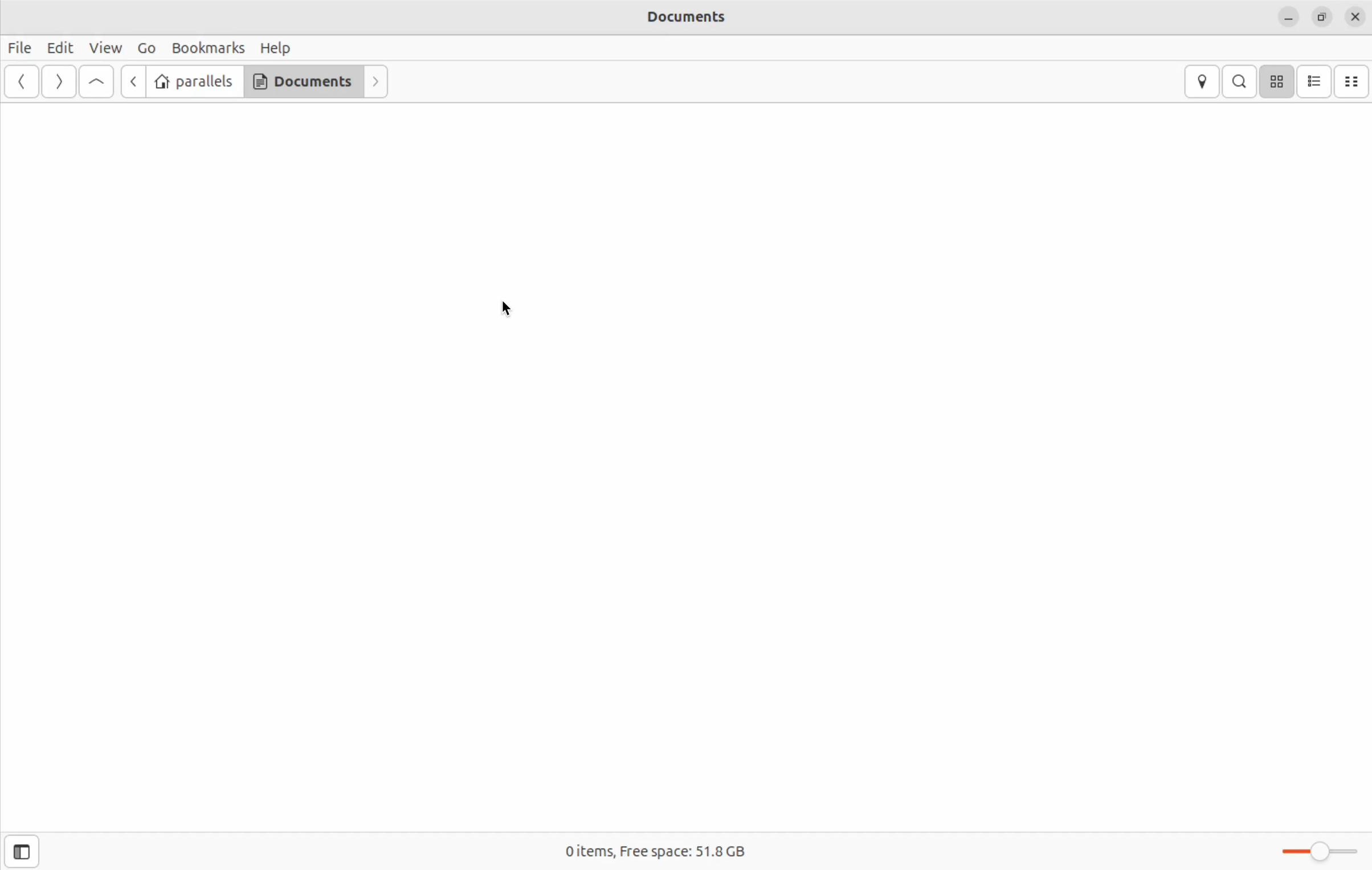 This screenshot has height=870, width=1372. Describe the element at coordinates (59, 48) in the screenshot. I see `Edit` at that location.